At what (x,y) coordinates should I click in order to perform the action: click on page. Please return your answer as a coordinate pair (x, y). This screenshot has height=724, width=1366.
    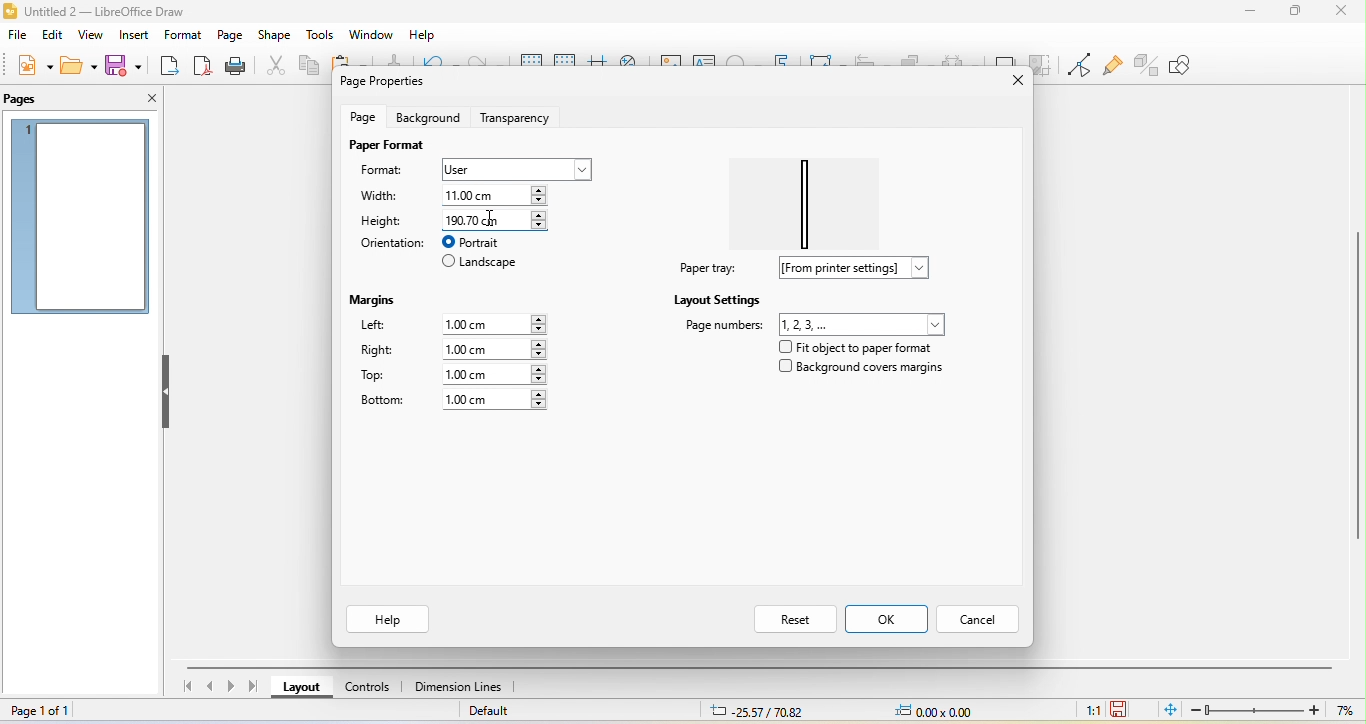
    Looking at the image, I should click on (229, 35).